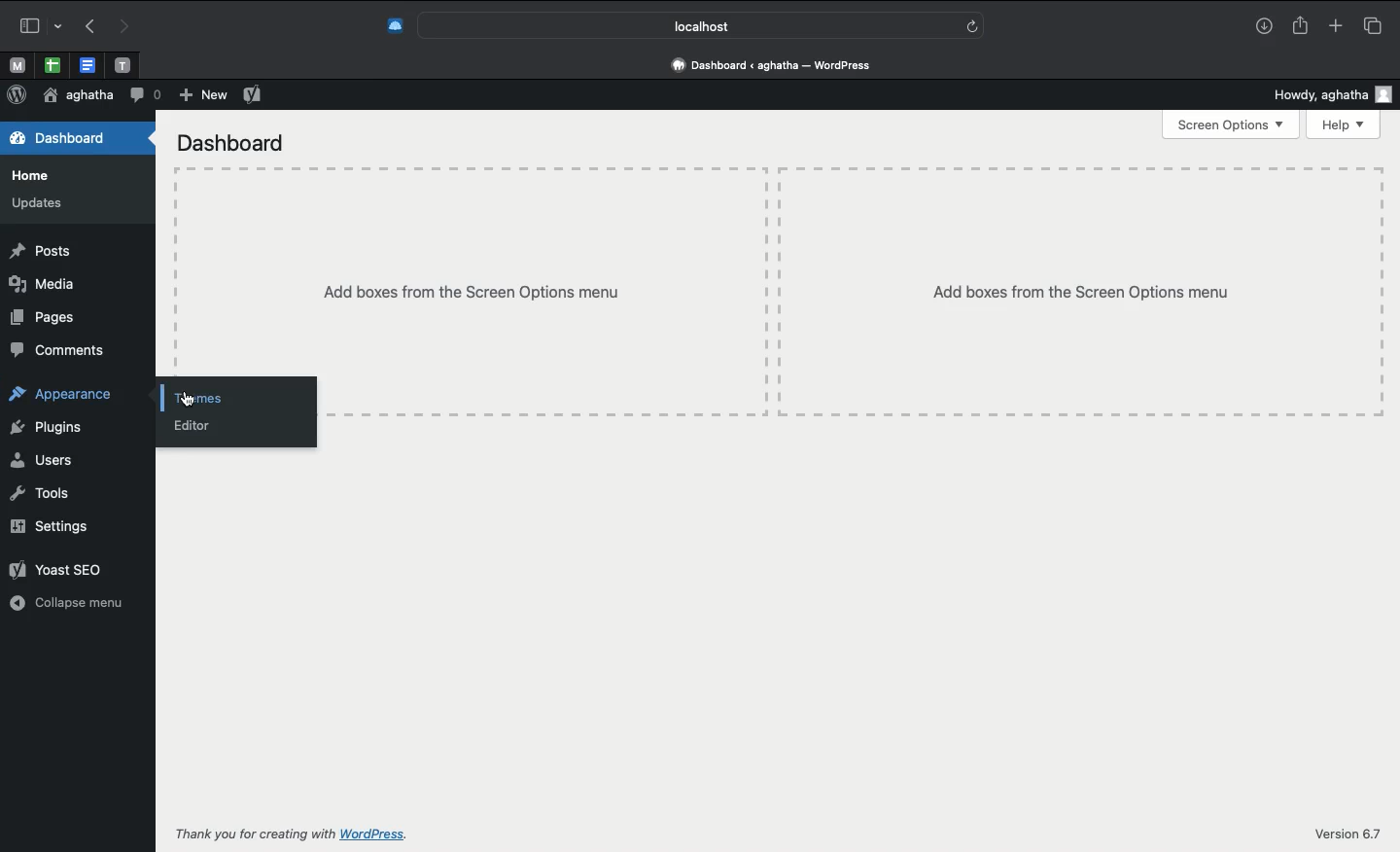 Image resolution: width=1400 pixels, height=852 pixels. Describe the element at coordinates (66, 602) in the screenshot. I see `Collapse menu` at that location.